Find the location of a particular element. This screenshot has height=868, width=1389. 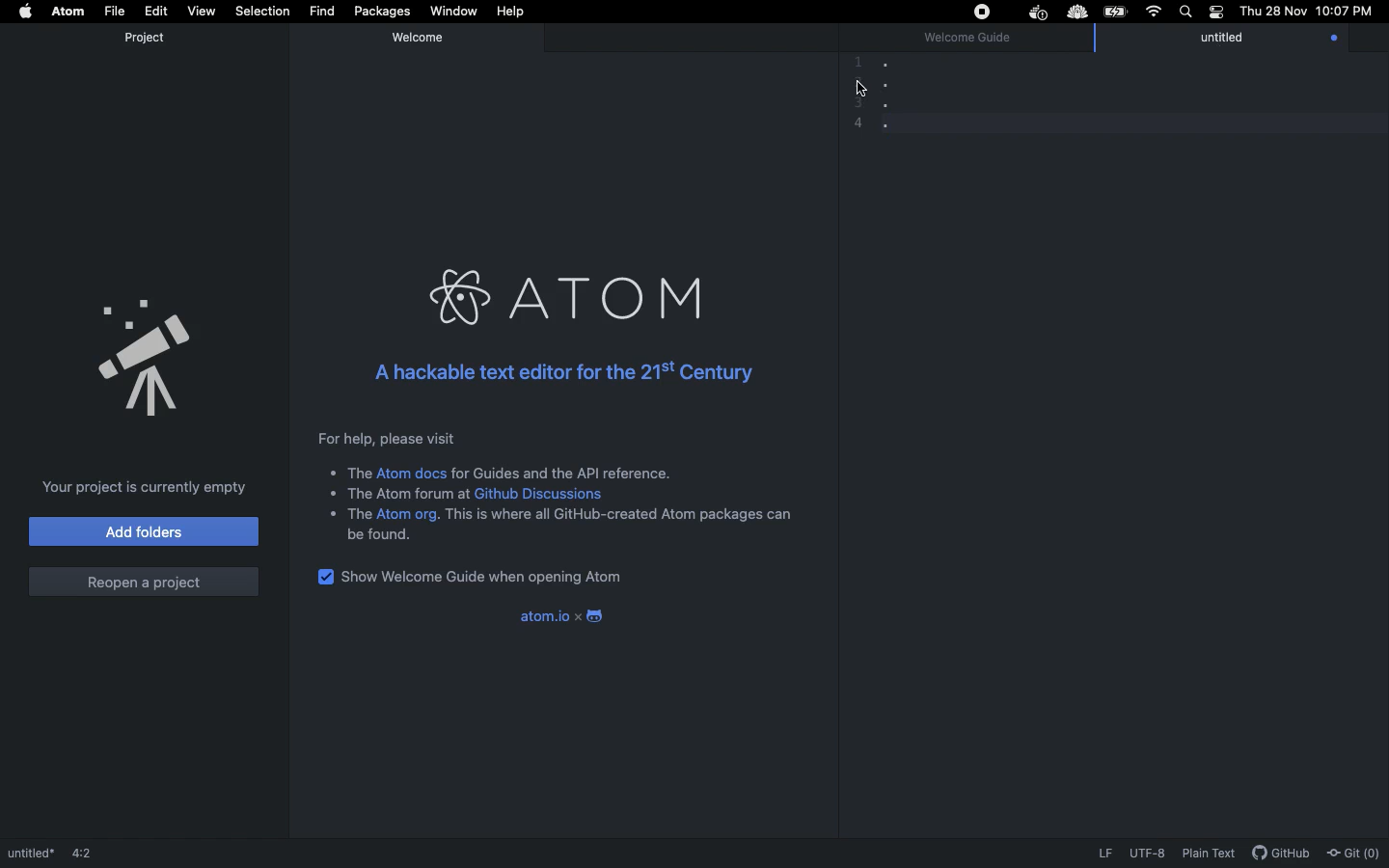

Untitled is located at coordinates (1239, 40).